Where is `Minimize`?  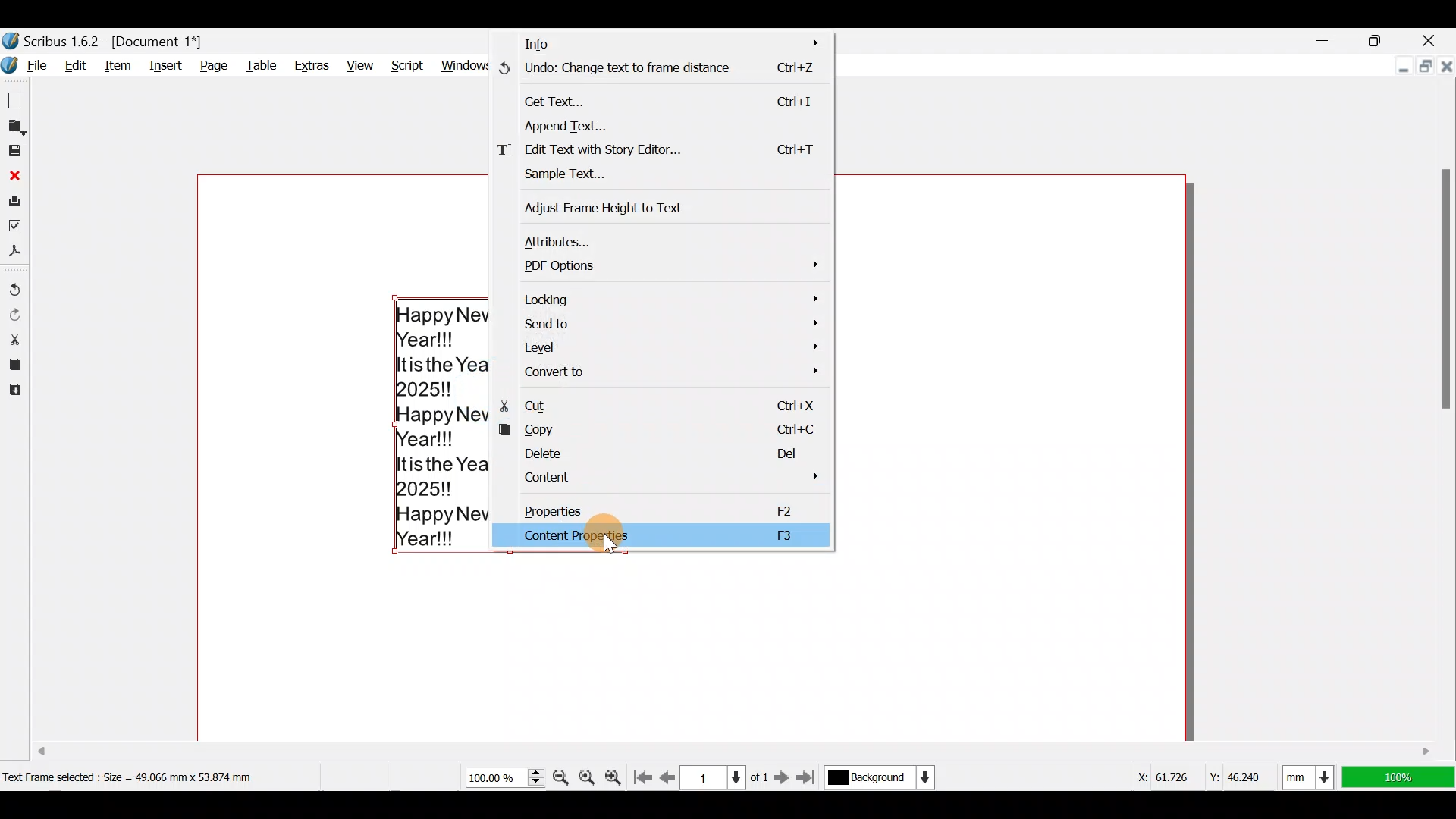
Minimize is located at coordinates (1328, 40).